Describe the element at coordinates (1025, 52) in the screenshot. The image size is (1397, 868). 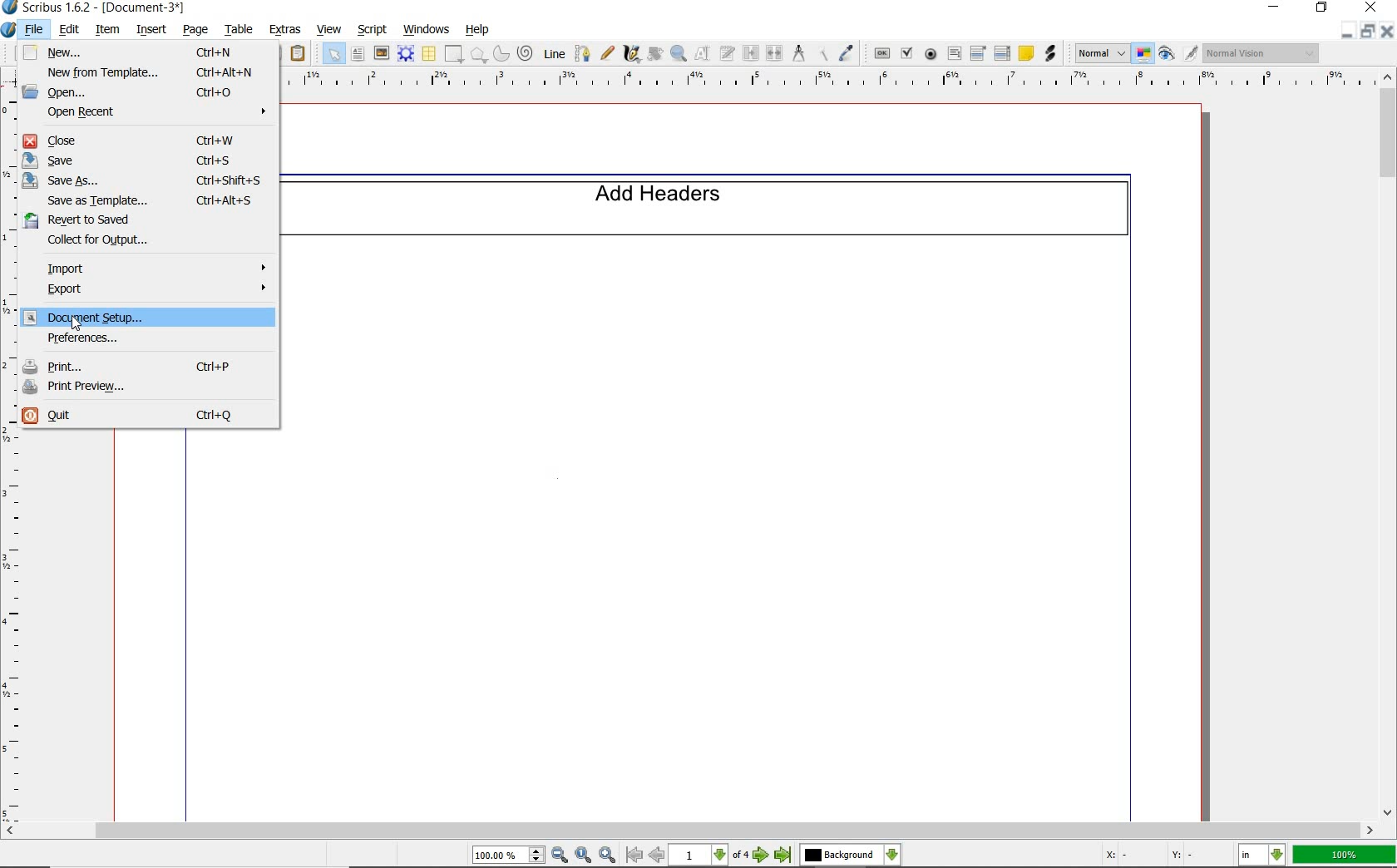
I see `text annotation` at that location.